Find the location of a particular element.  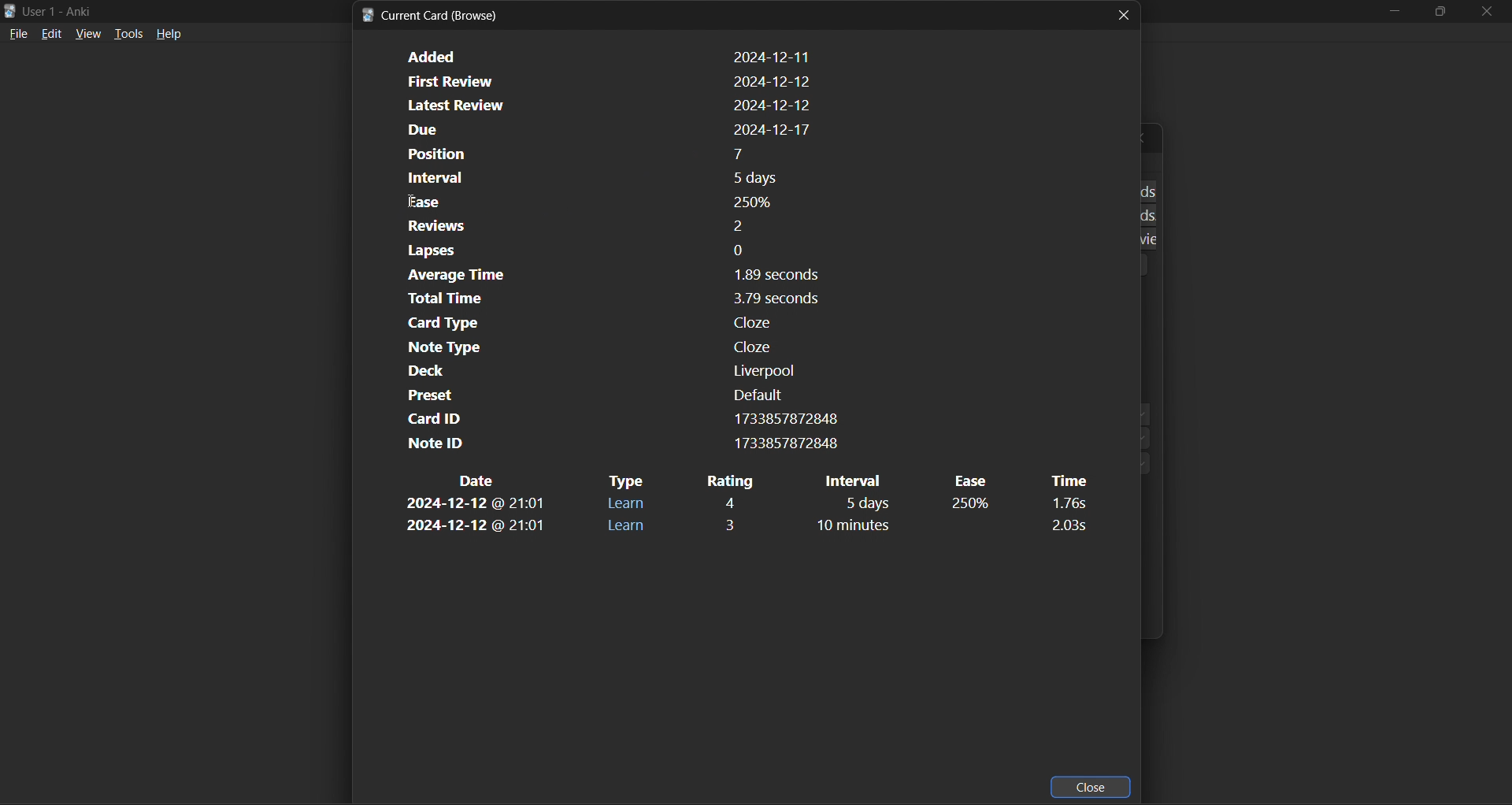

date is located at coordinates (475, 527).